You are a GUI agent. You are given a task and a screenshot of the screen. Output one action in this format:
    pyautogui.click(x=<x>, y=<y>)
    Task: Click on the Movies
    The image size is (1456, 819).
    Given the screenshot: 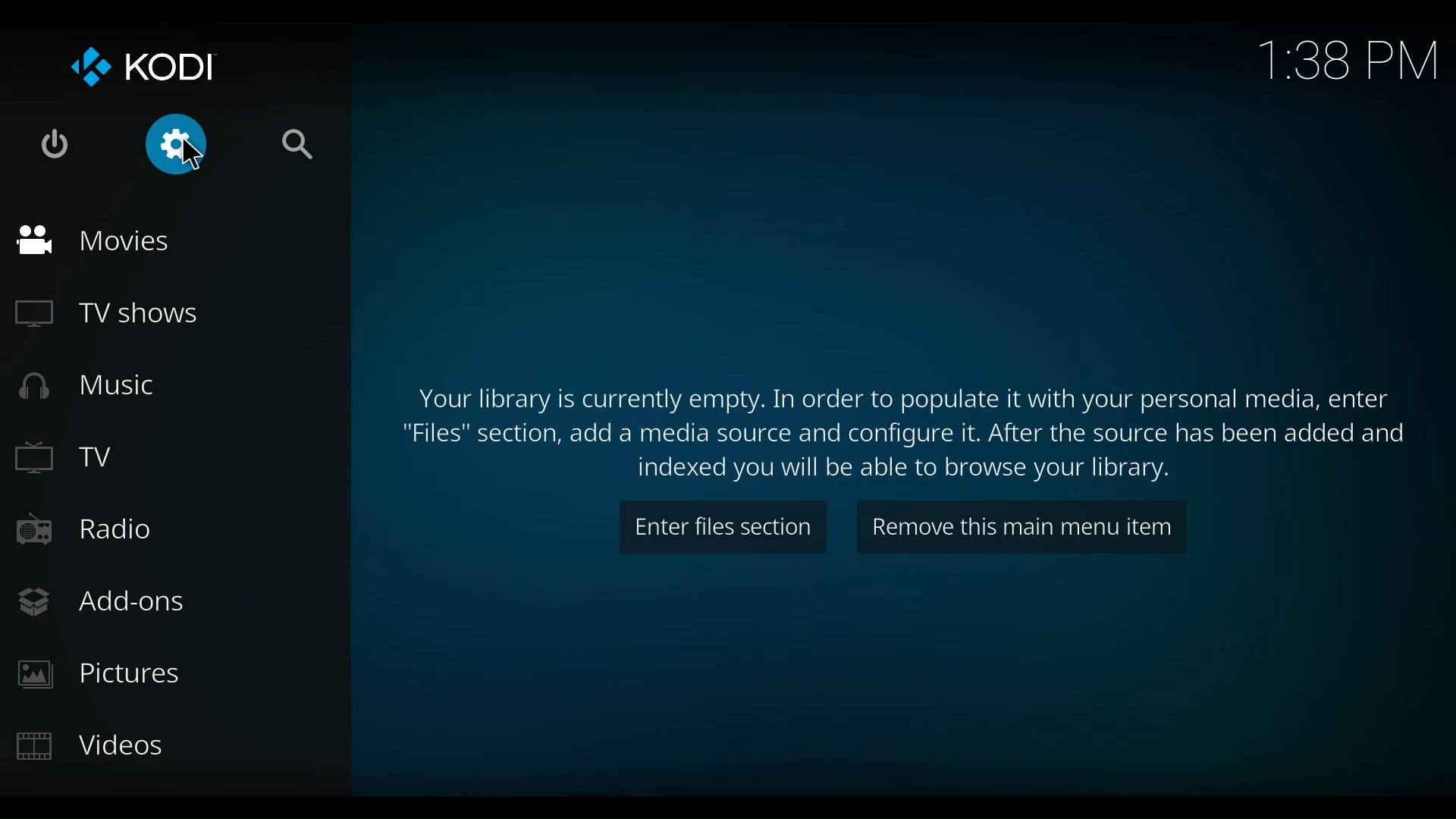 What is the action you would take?
    pyautogui.click(x=98, y=241)
    